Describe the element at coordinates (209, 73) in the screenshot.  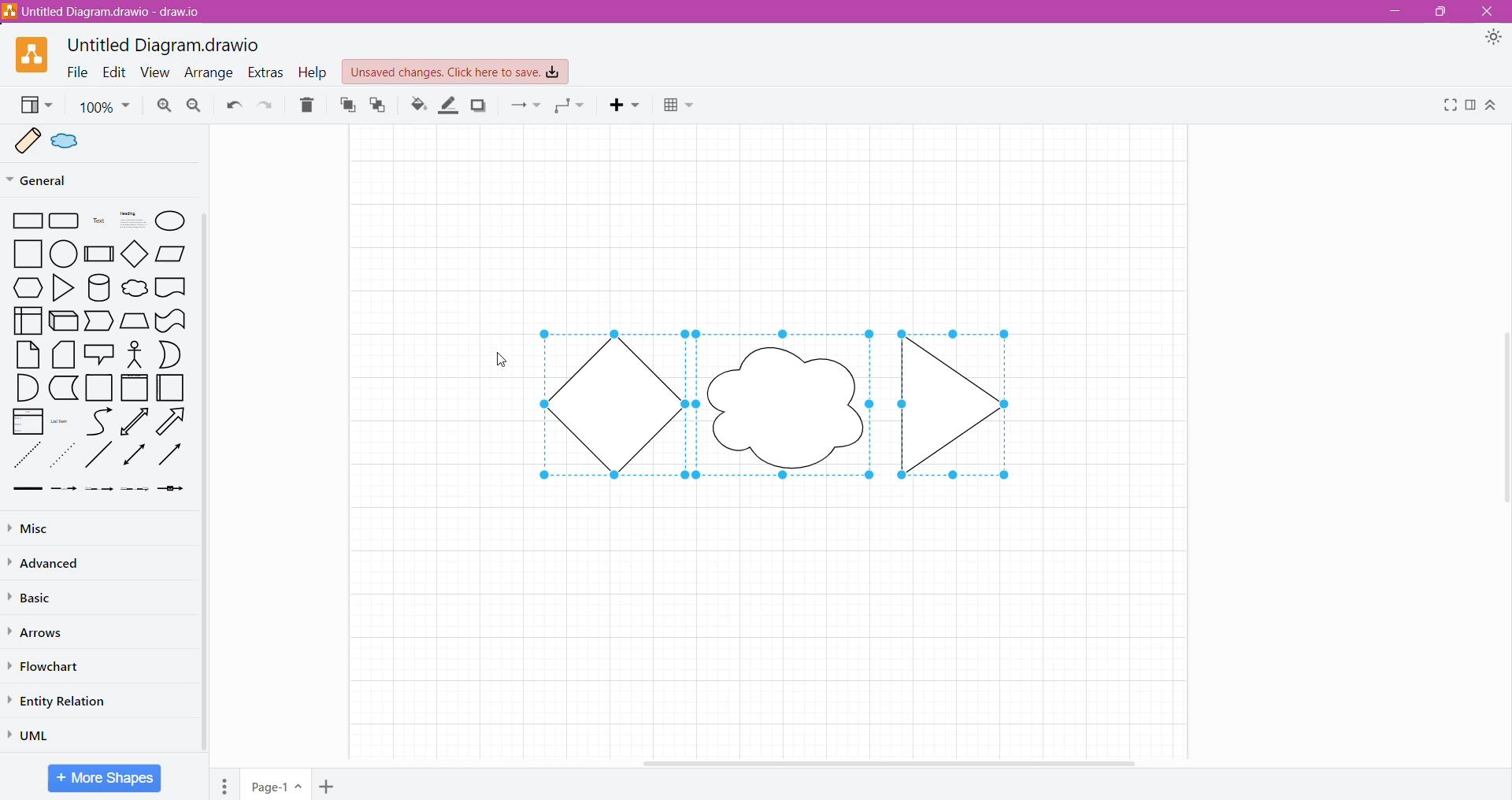
I see `Arrange` at that location.